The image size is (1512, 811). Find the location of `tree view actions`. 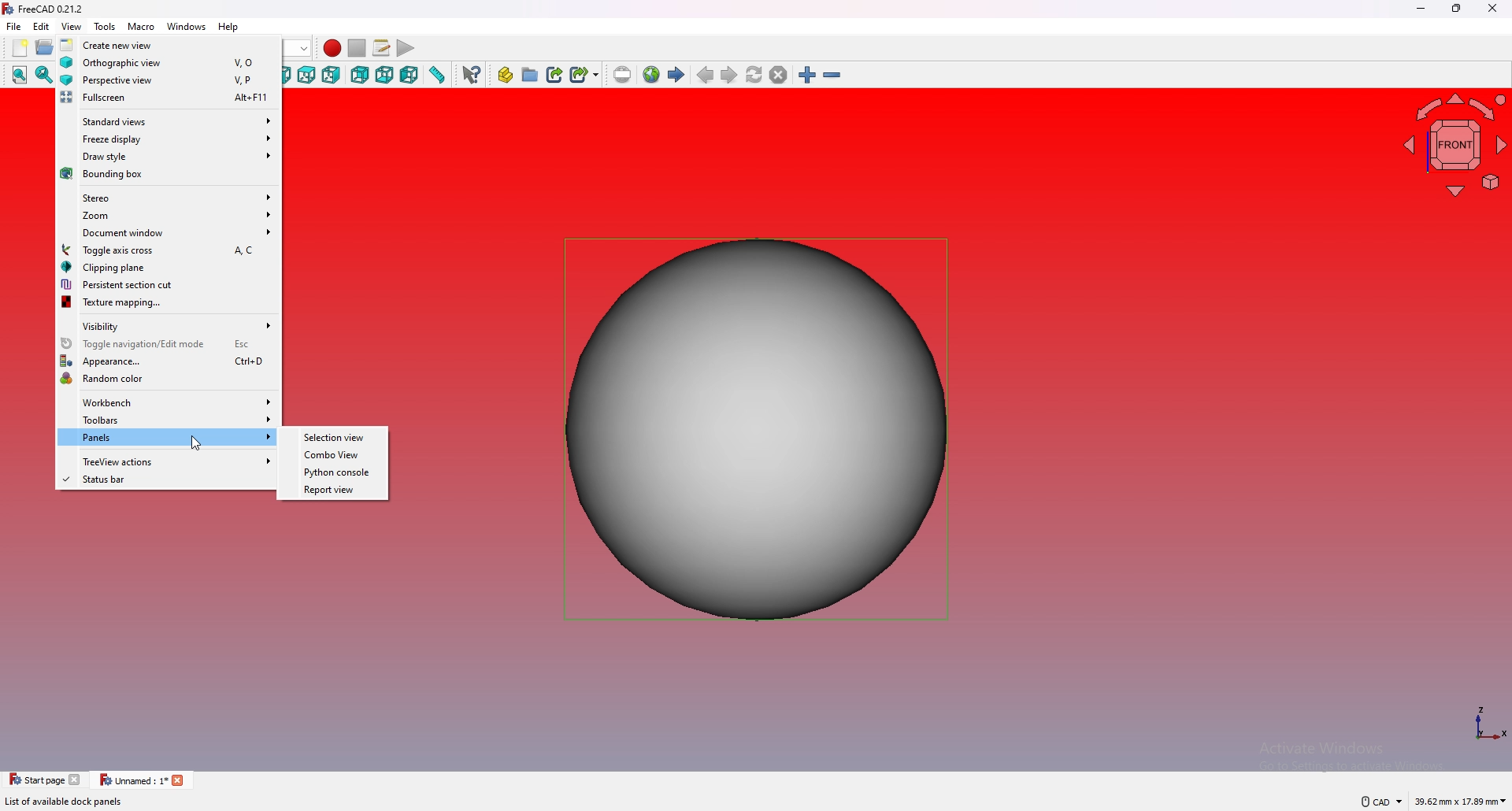

tree view actions is located at coordinates (167, 461).